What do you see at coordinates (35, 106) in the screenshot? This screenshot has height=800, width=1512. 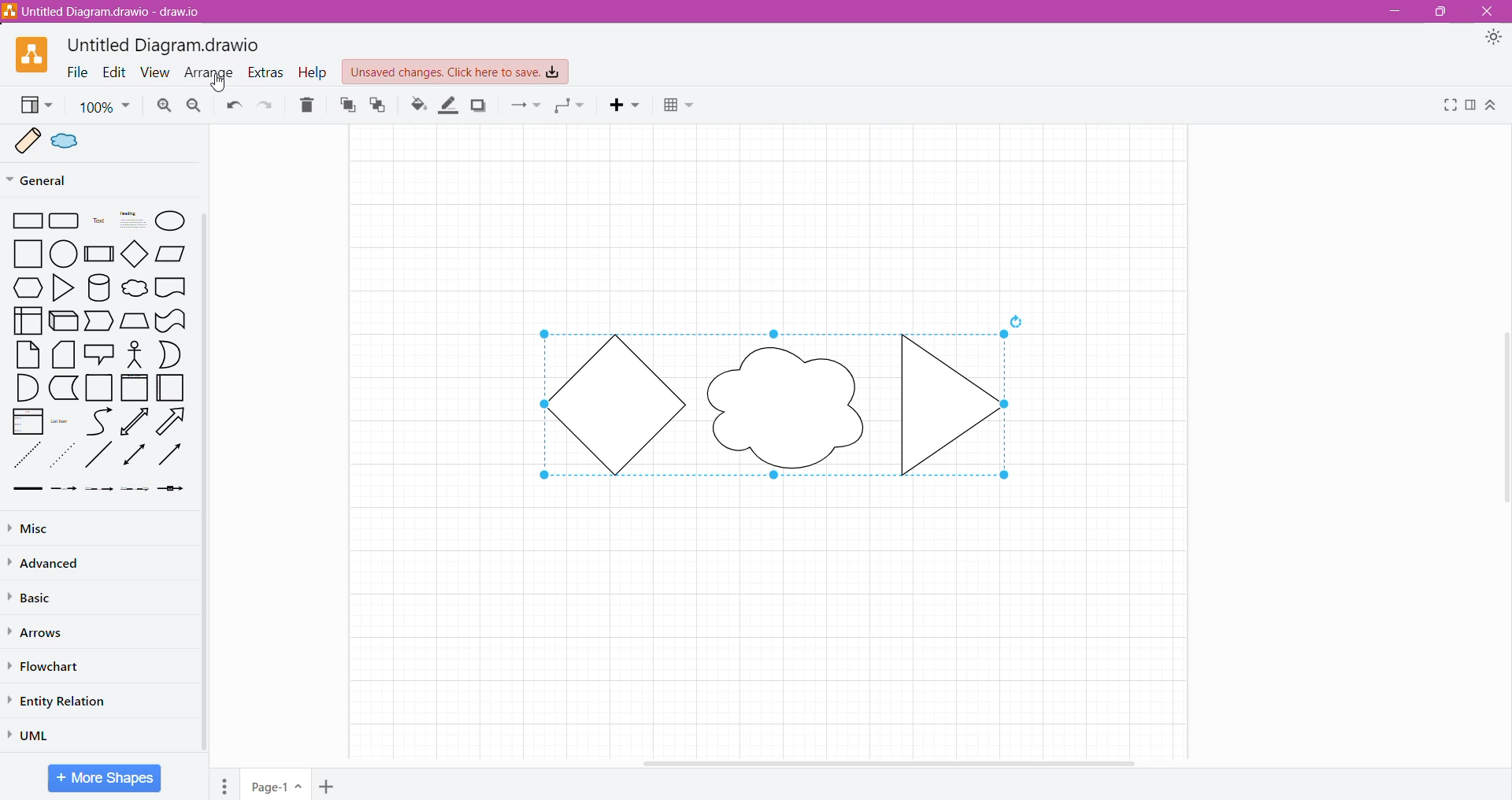 I see `View` at bounding box center [35, 106].